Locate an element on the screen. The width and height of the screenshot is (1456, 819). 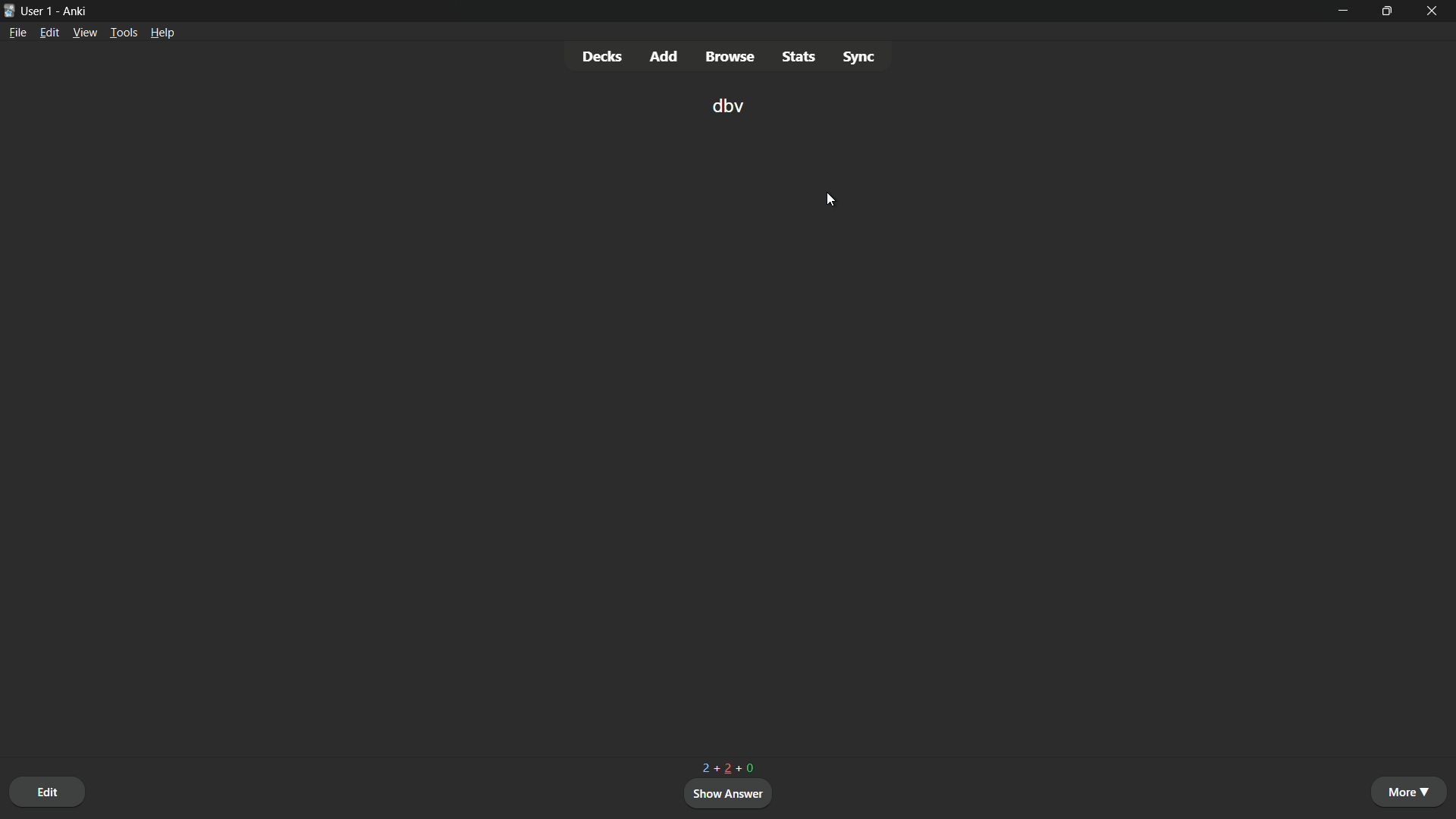
cursor is located at coordinates (830, 200).